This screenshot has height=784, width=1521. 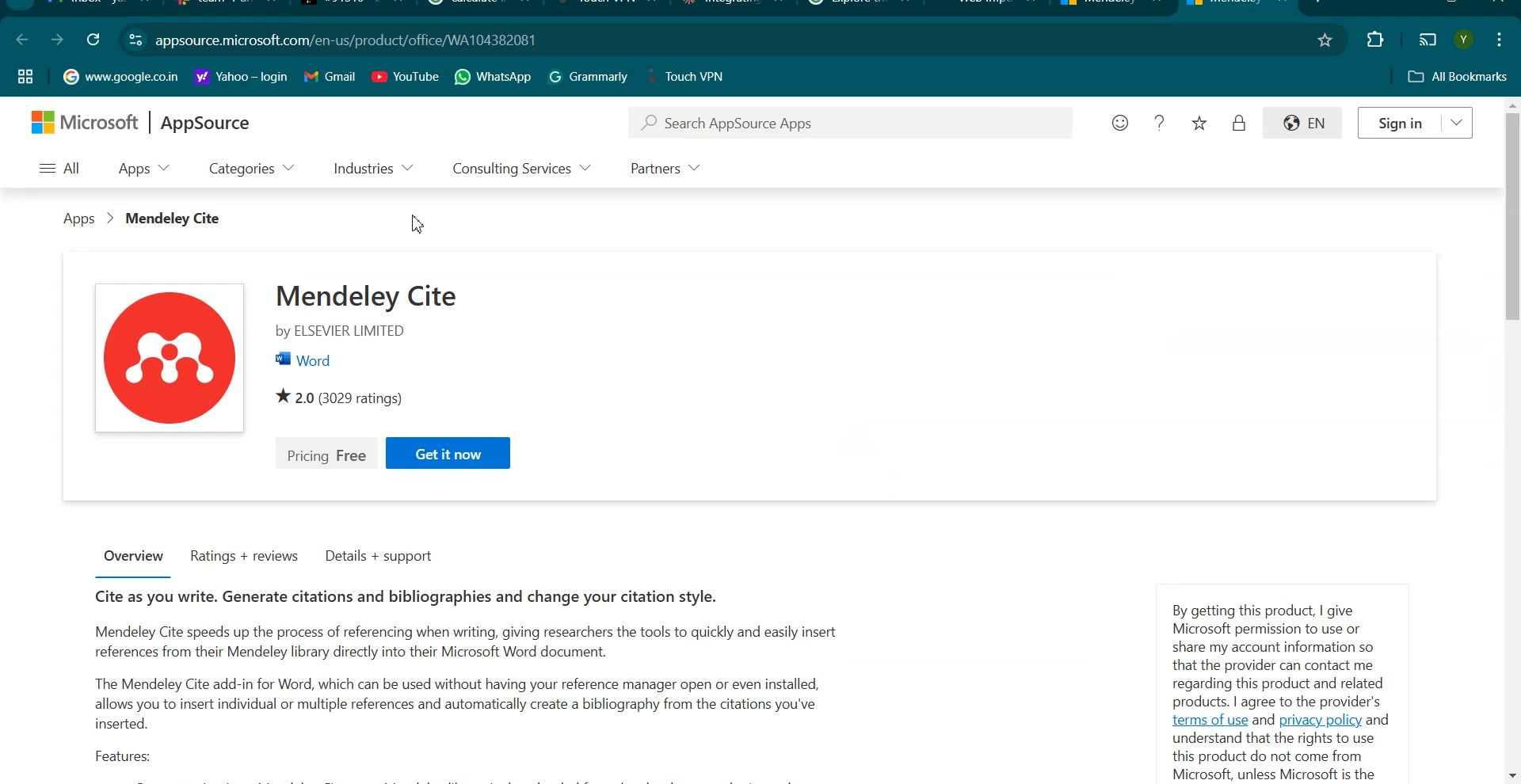 I want to click on Apps, so click(x=79, y=217).